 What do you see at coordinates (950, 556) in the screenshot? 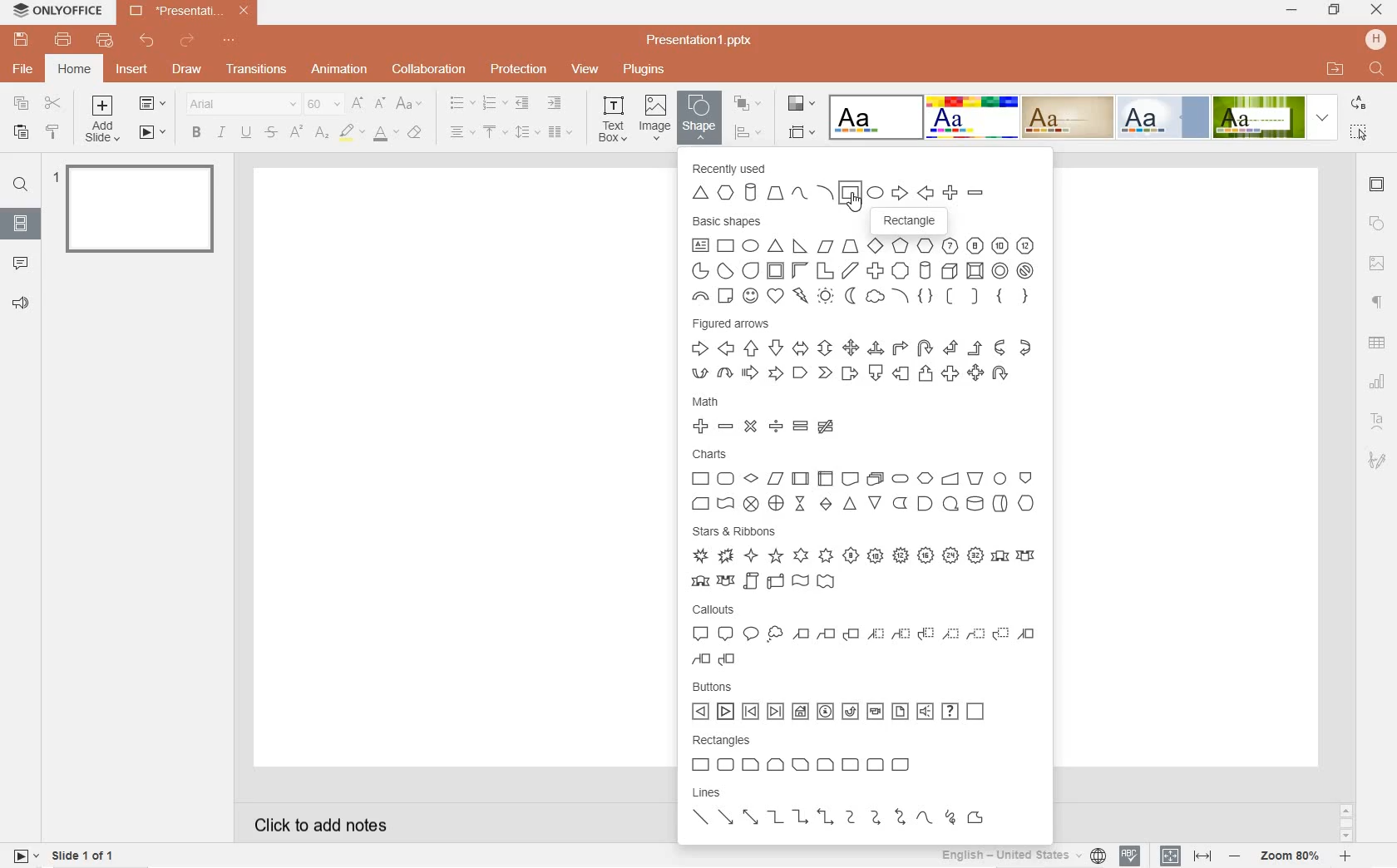
I see `24-point star` at bounding box center [950, 556].